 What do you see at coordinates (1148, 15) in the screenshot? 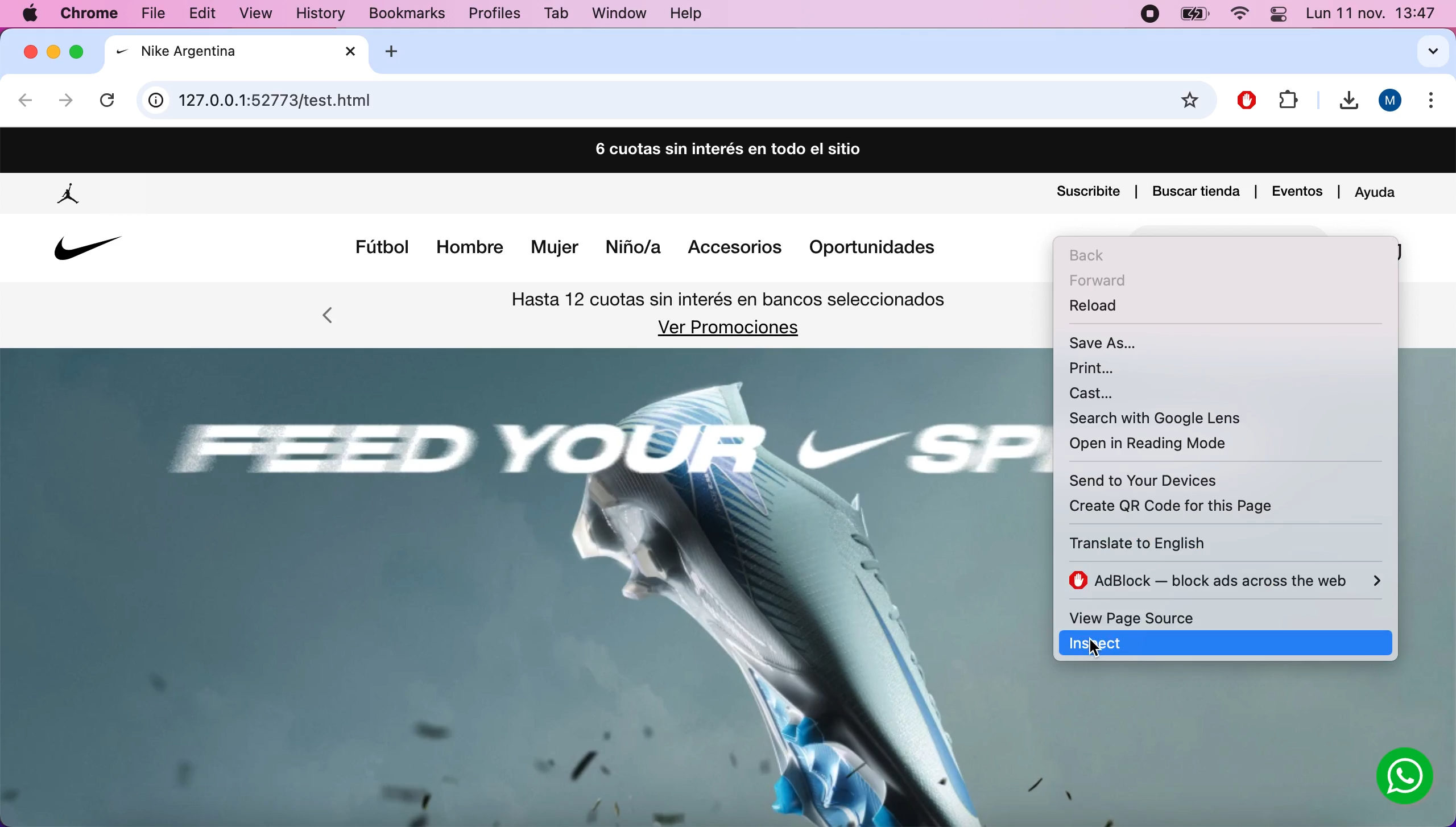
I see `recording stopped` at bounding box center [1148, 15].